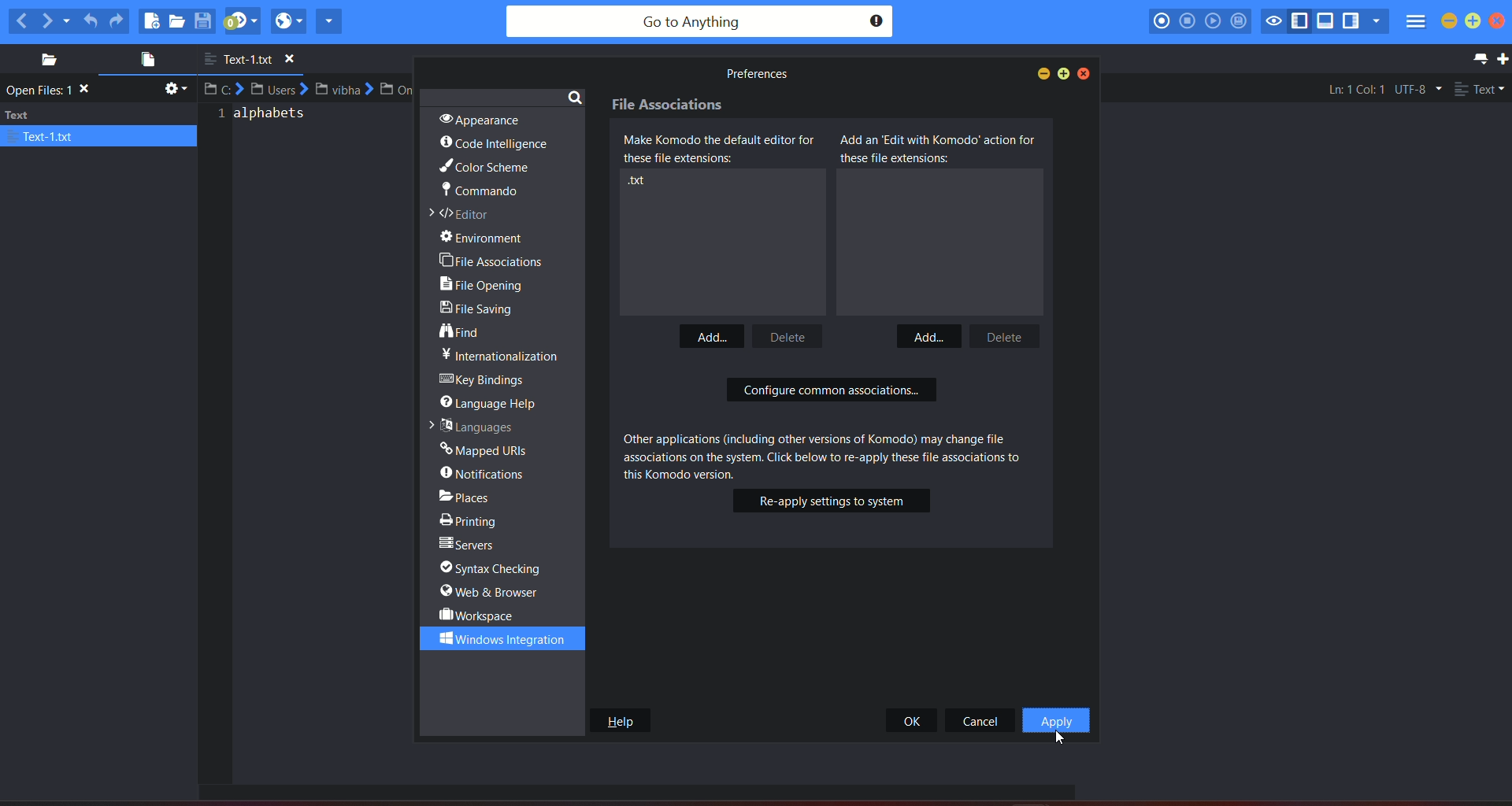 This screenshot has height=806, width=1512. Describe the element at coordinates (831, 502) in the screenshot. I see `Re-apply settings to system` at that location.